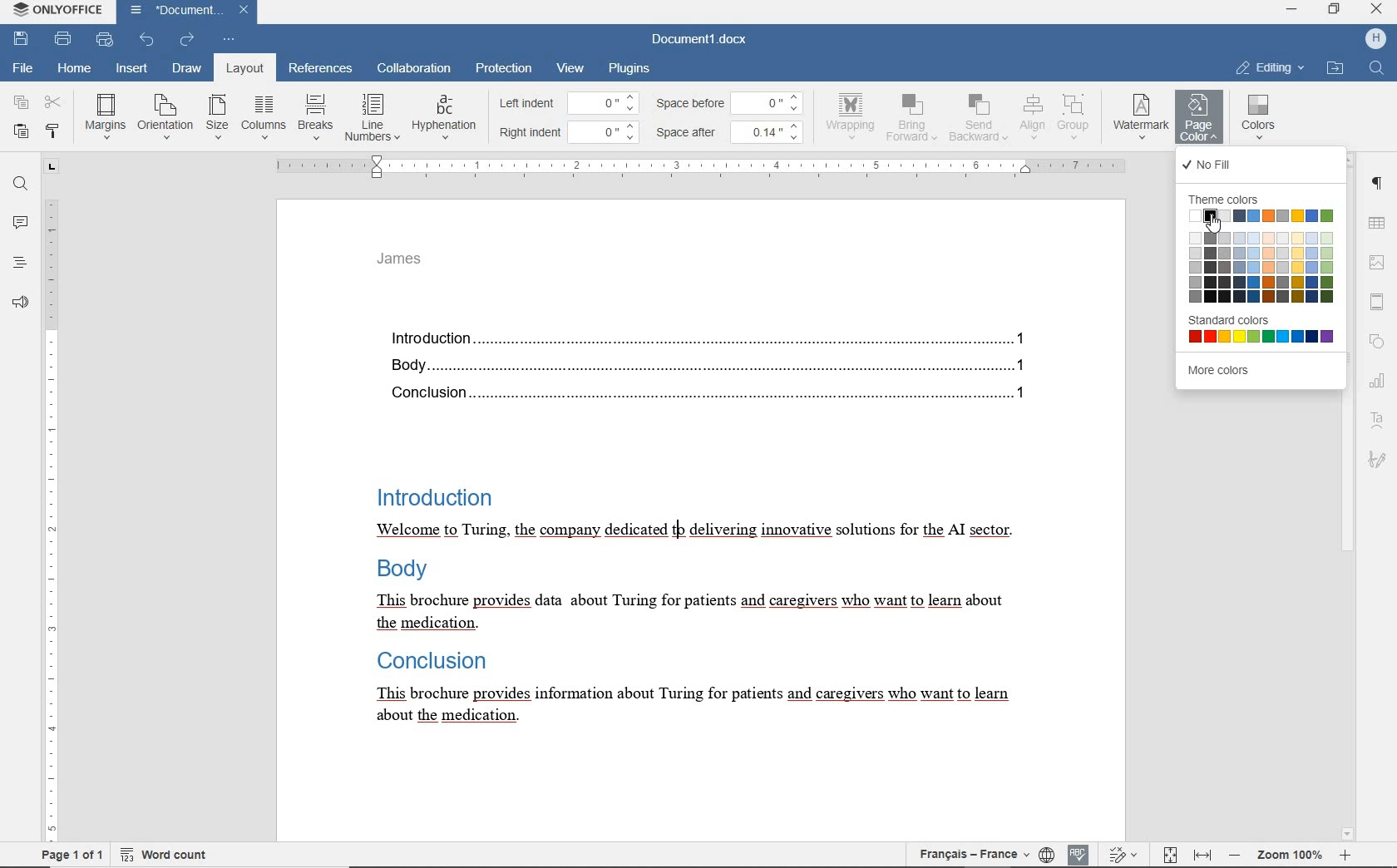  I want to click on table, so click(1377, 224).